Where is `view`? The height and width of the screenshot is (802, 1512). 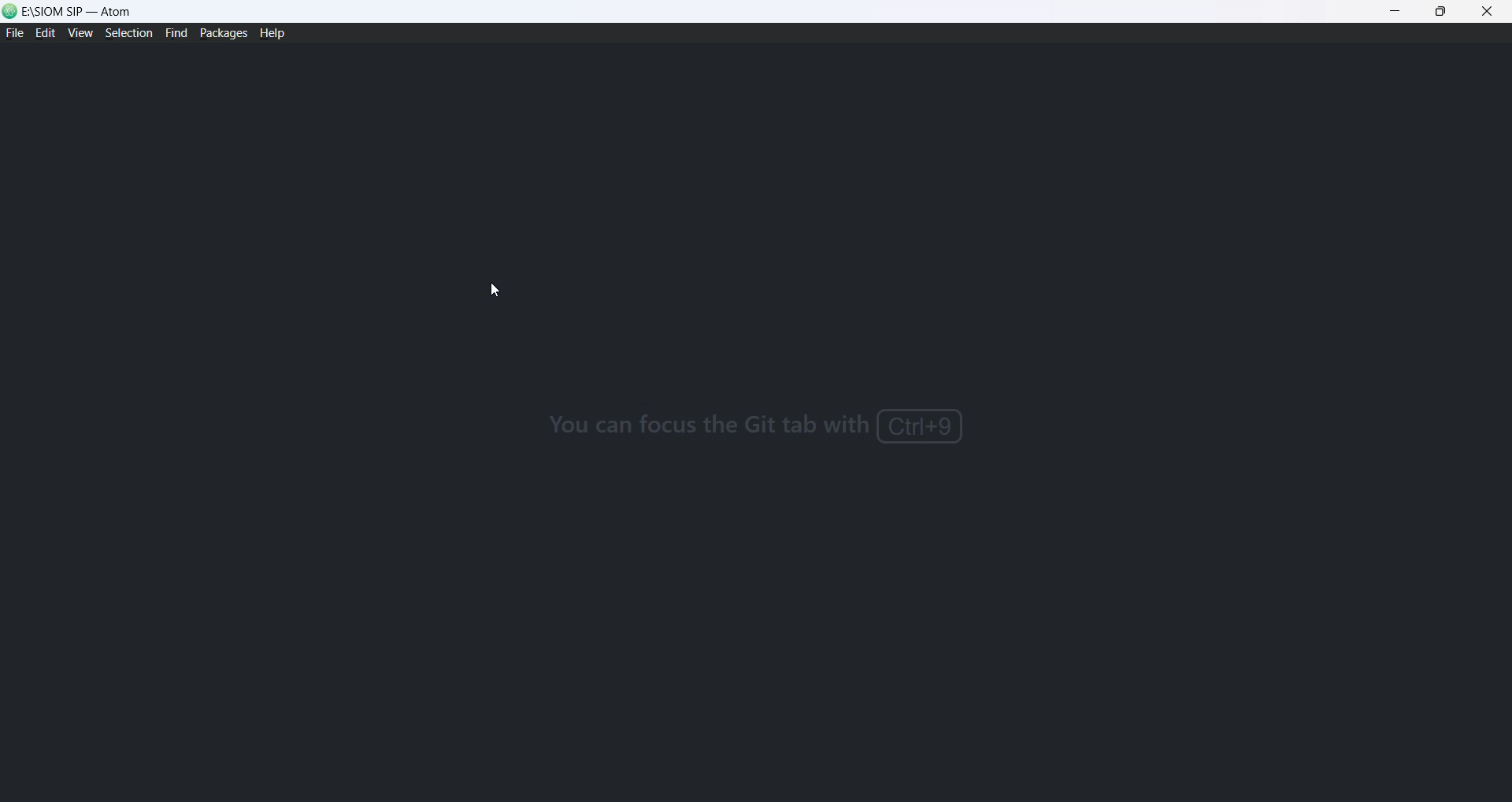
view is located at coordinates (78, 36).